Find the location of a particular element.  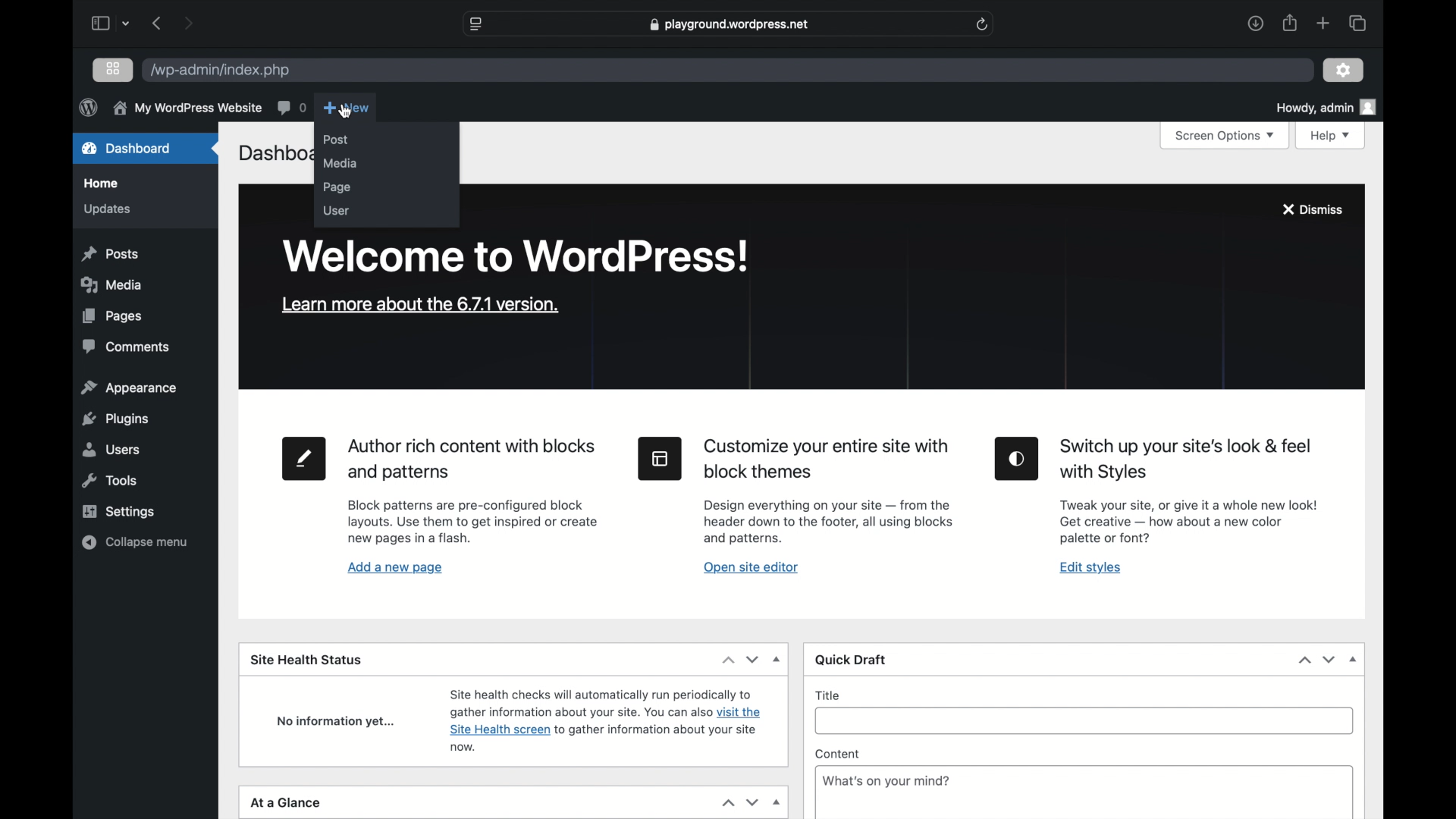

users is located at coordinates (109, 449).